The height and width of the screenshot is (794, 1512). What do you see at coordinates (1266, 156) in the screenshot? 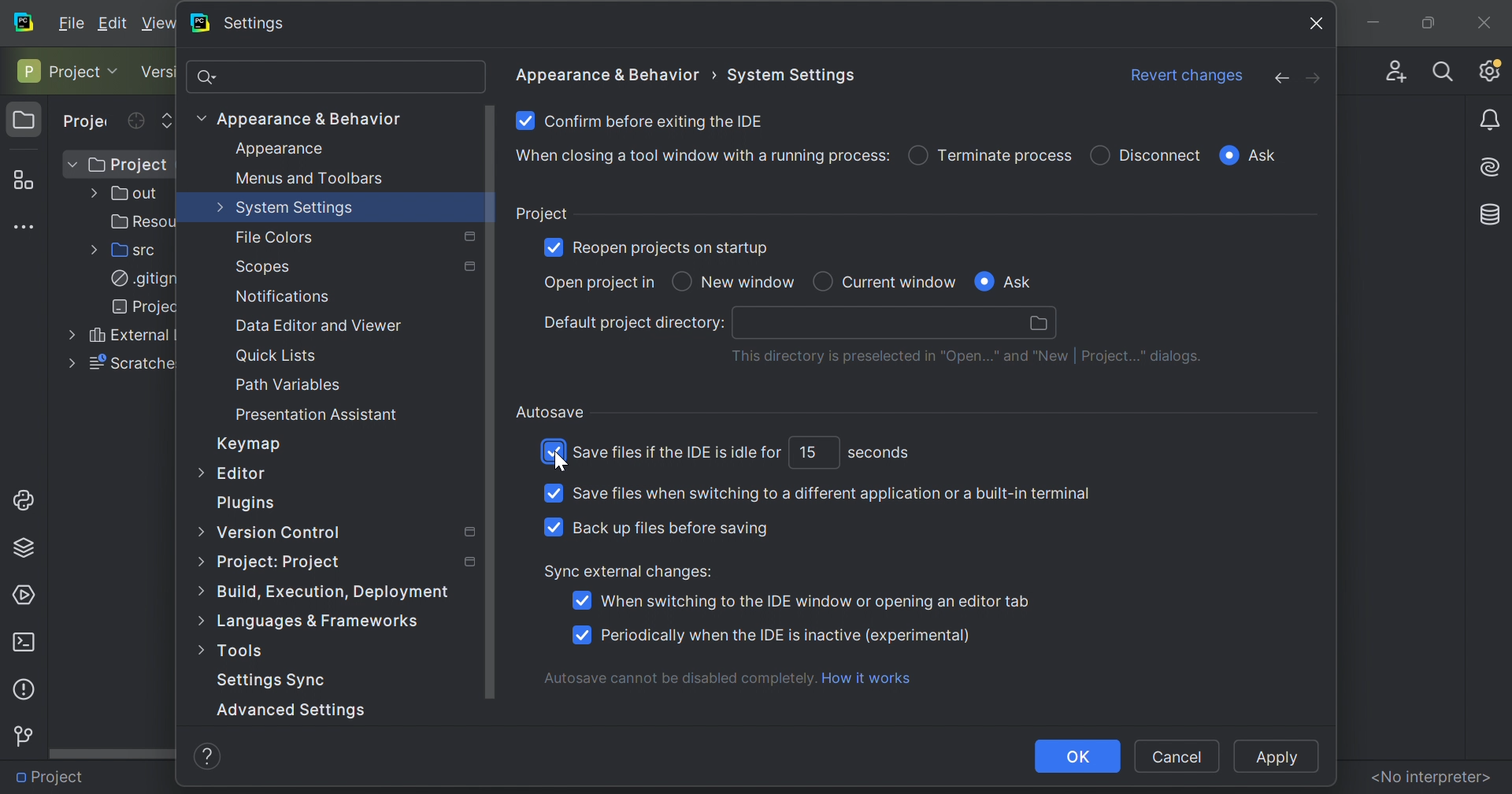
I see `Ask` at bounding box center [1266, 156].